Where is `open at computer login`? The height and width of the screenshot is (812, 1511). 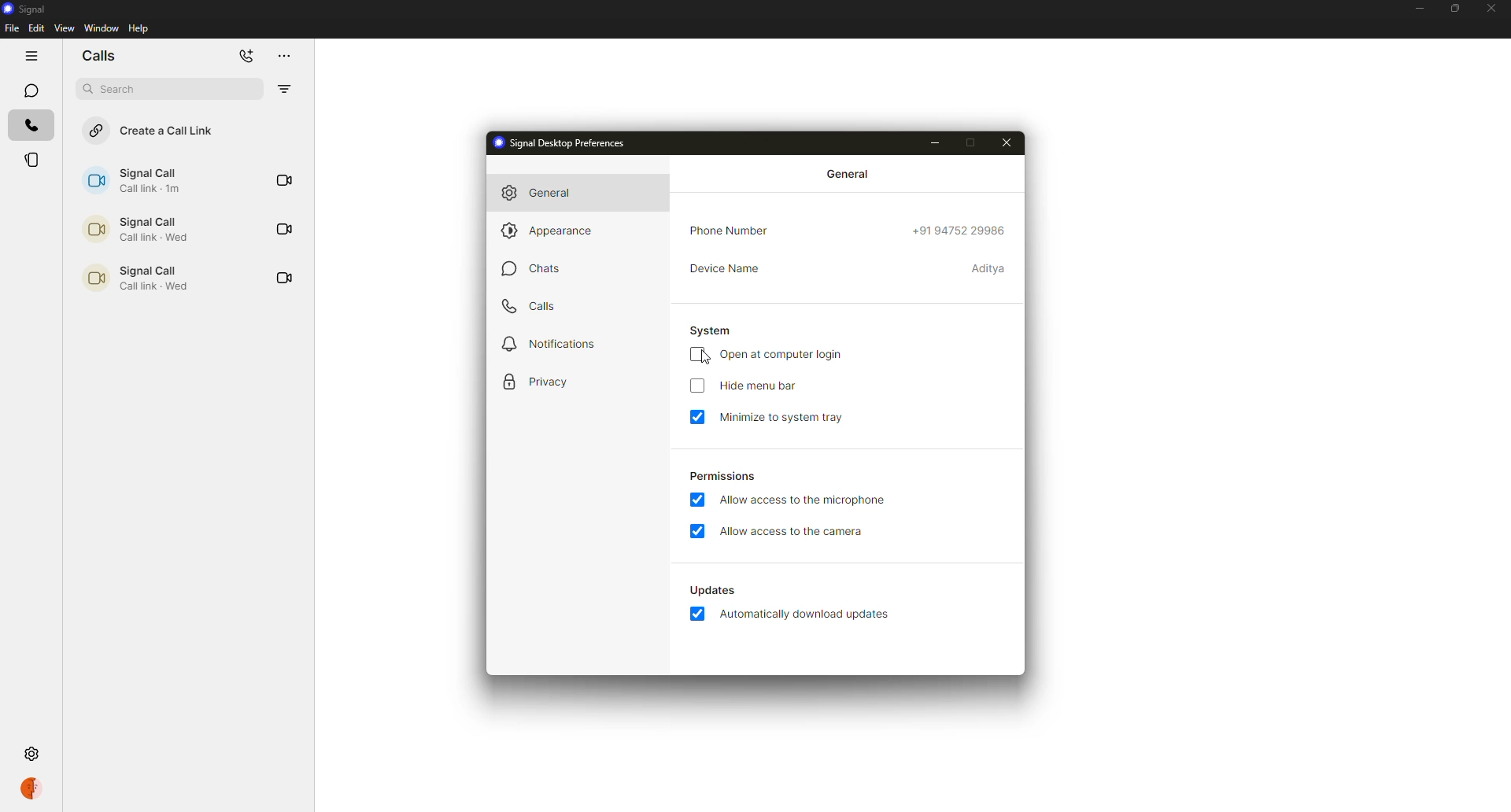 open at computer login is located at coordinates (784, 355).